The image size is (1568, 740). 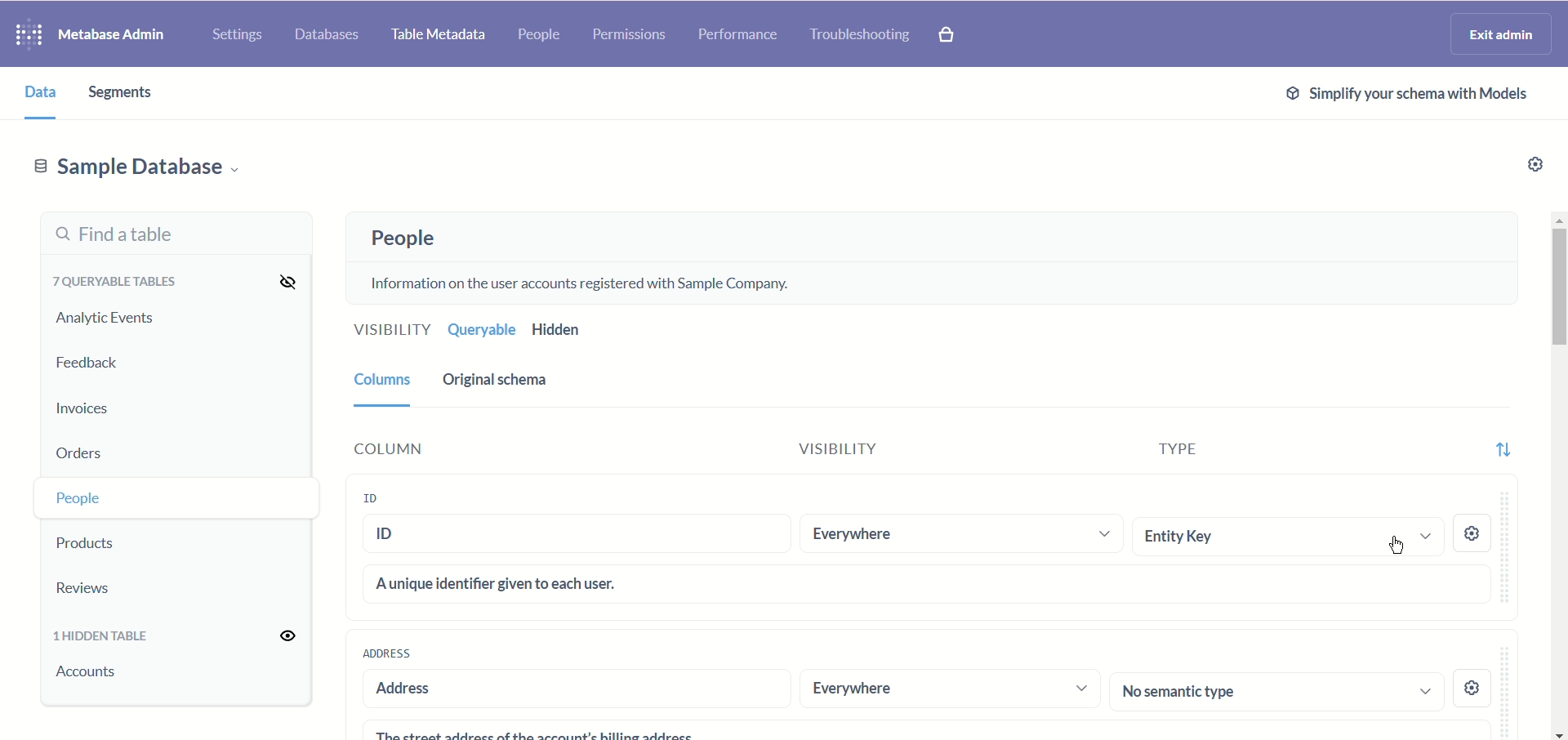 What do you see at coordinates (104, 405) in the screenshot?
I see `Invoices` at bounding box center [104, 405].